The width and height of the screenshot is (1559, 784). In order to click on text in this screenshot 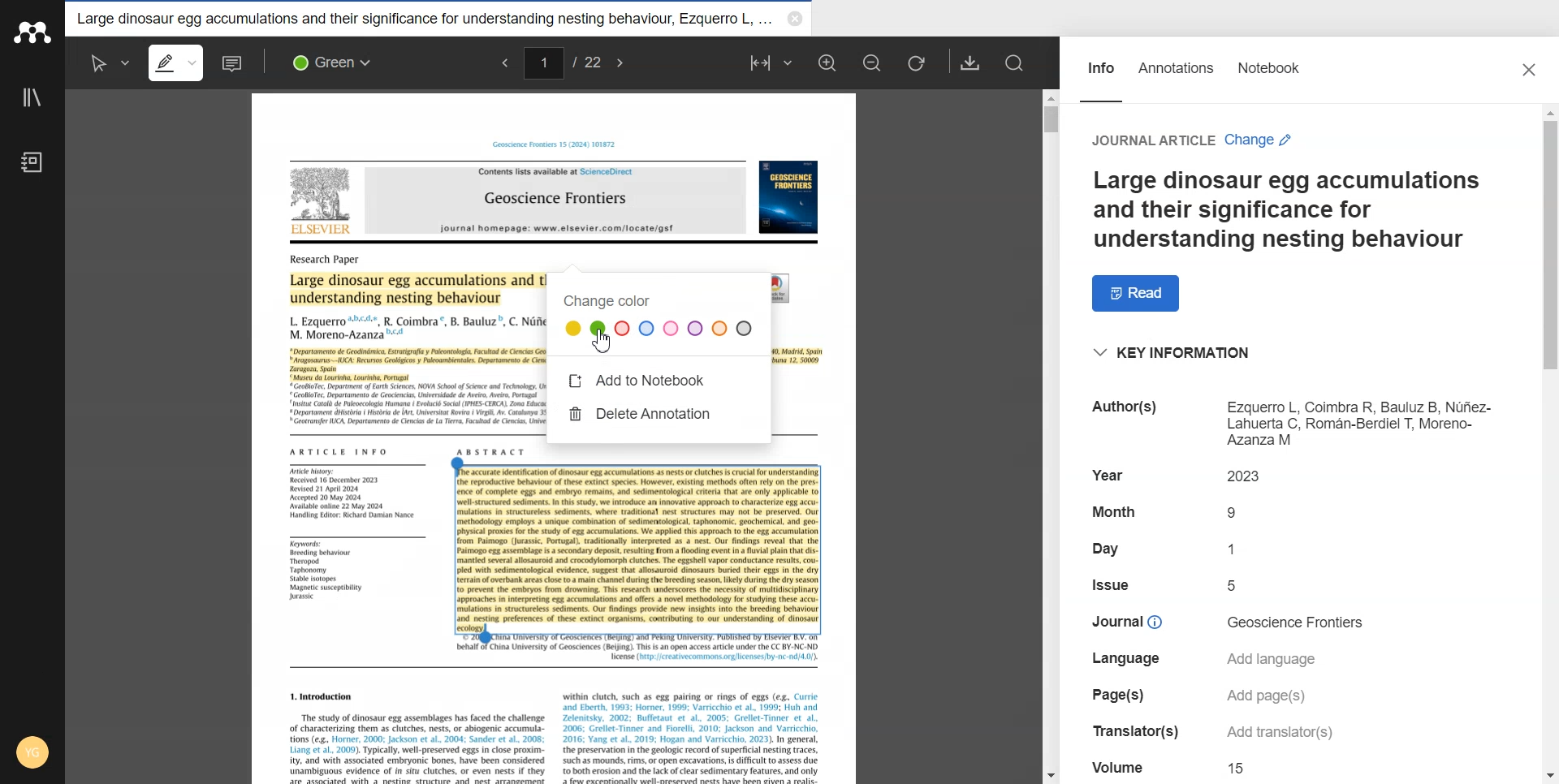, I will do `click(1239, 769)`.